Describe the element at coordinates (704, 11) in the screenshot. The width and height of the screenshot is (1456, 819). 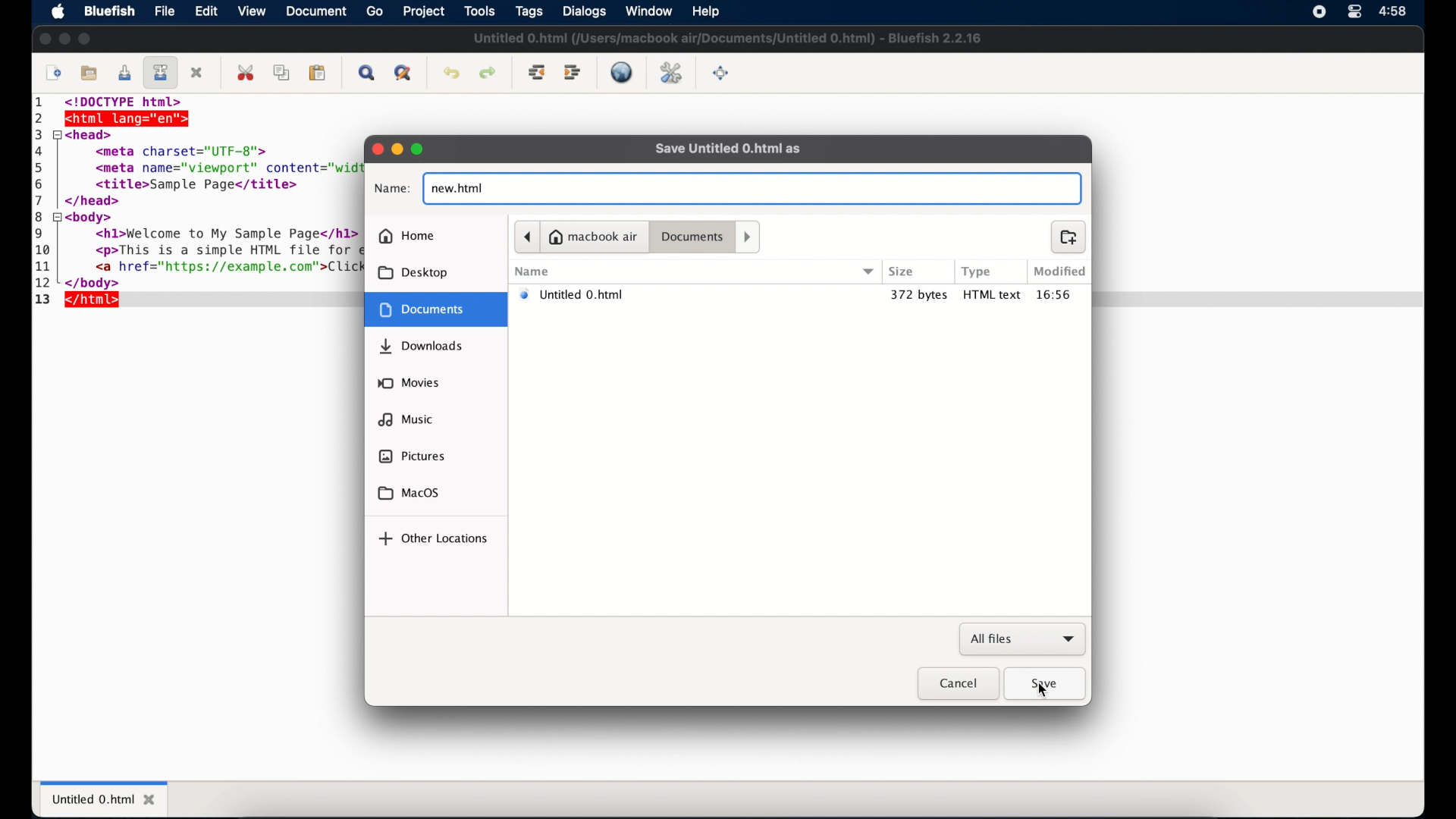
I see `help` at that location.